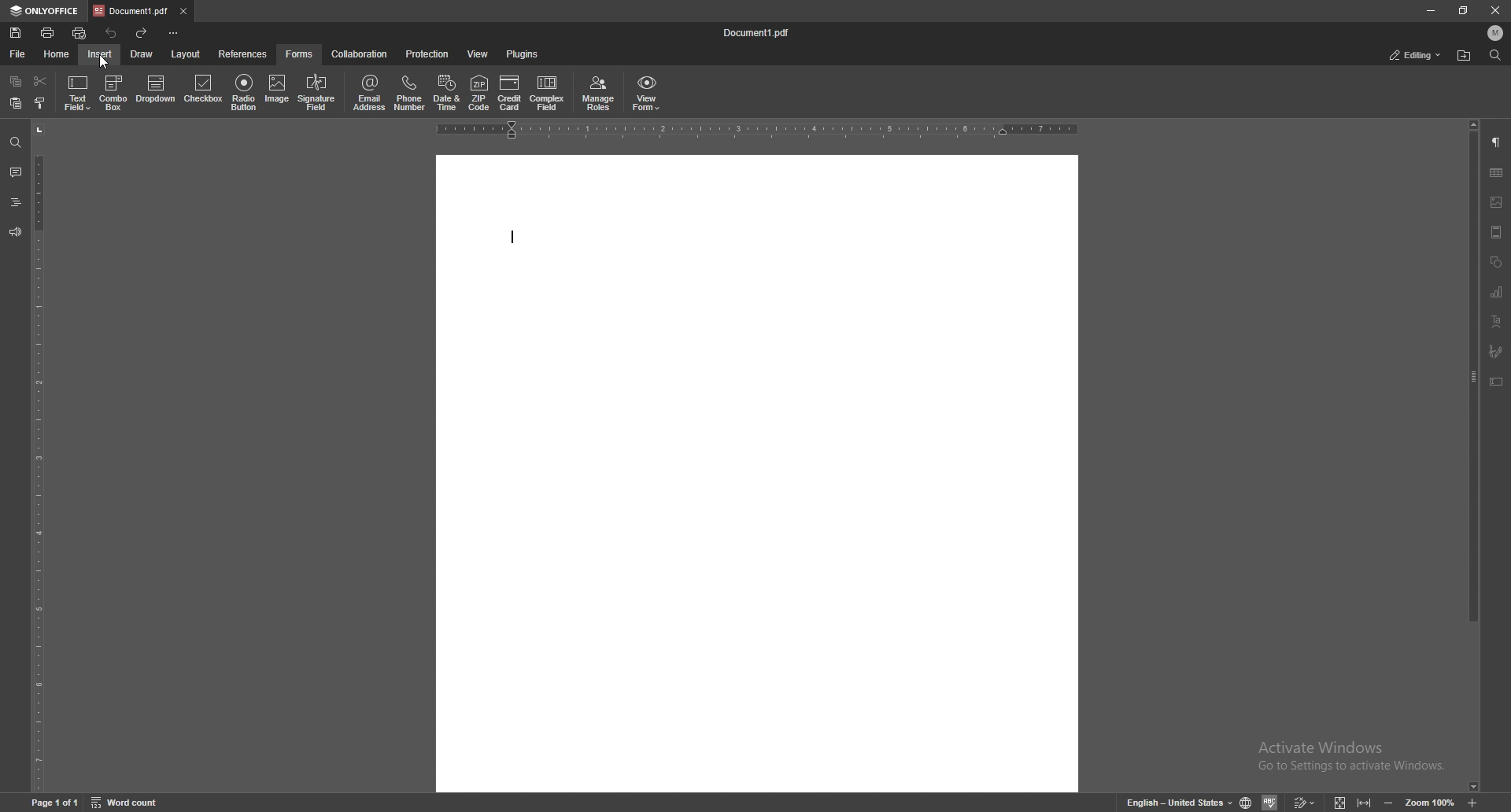 The height and width of the screenshot is (812, 1511). Describe the element at coordinates (16, 54) in the screenshot. I see `file` at that location.